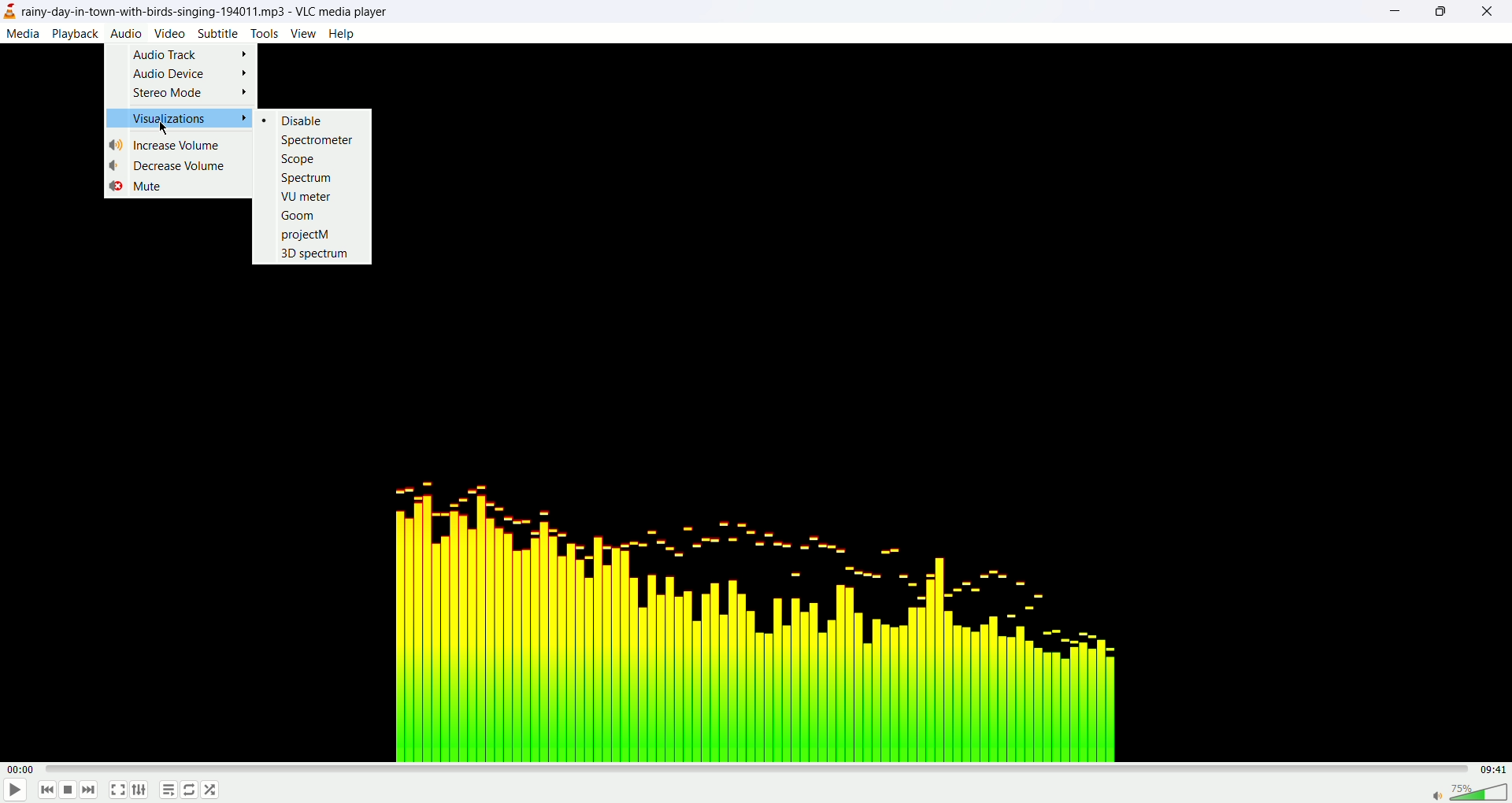 The image size is (1512, 803). What do you see at coordinates (136, 186) in the screenshot?
I see `mute` at bounding box center [136, 186].